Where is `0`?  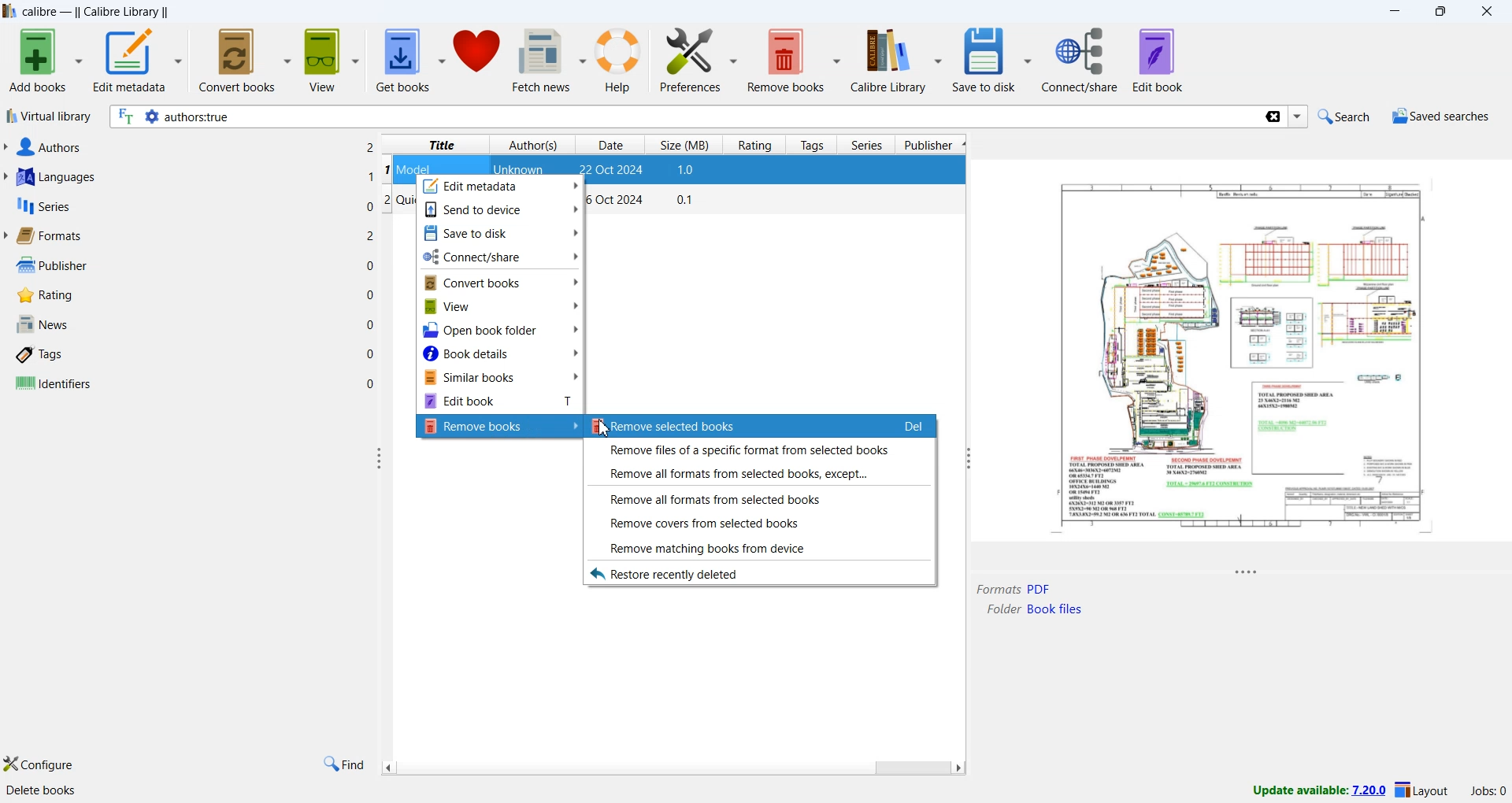 0 is located at coordinates (372, 293).